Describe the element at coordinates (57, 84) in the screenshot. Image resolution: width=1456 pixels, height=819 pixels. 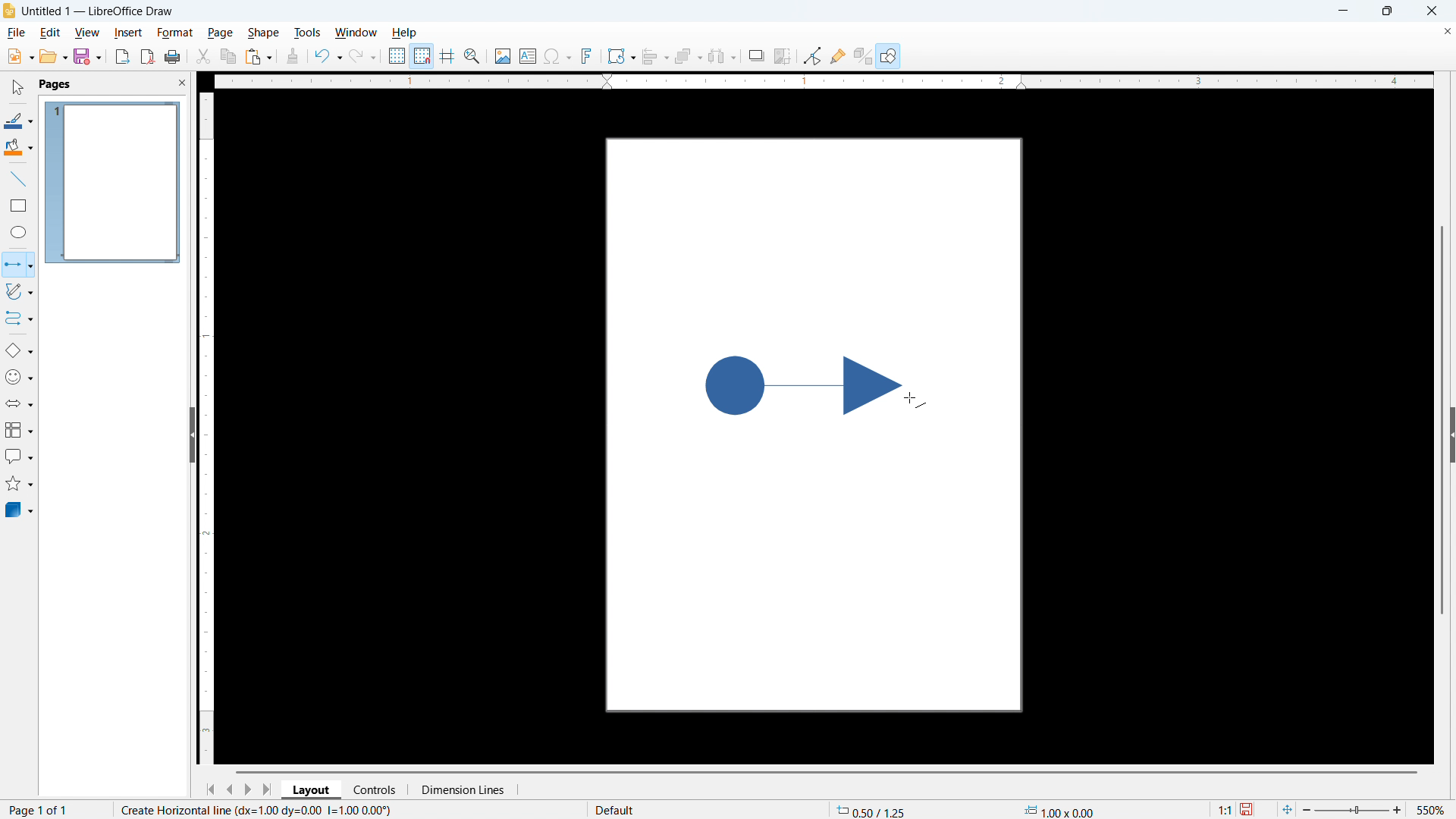
I see `pages ` at that location.